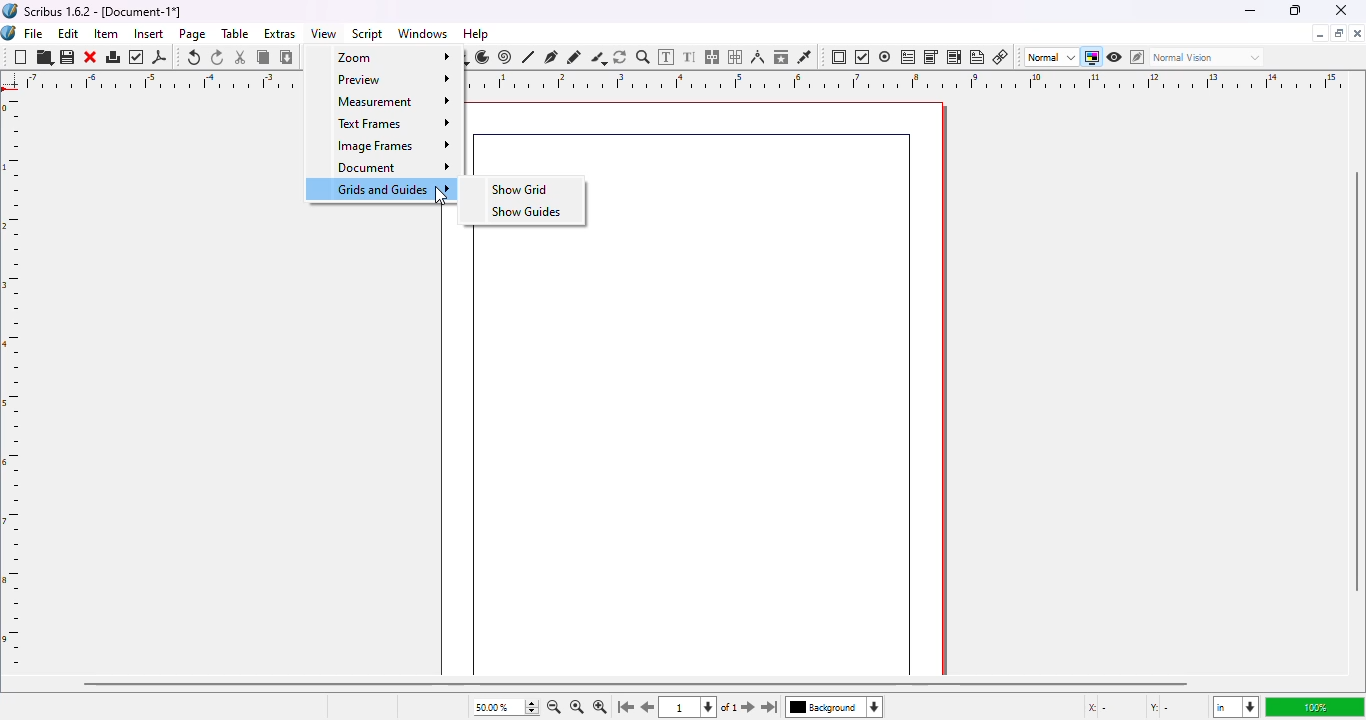 This screenshot has width=1366, height=720. Describe the element at coordinates (748, 705) in the screenshot. I see `go to the next page` at that location.